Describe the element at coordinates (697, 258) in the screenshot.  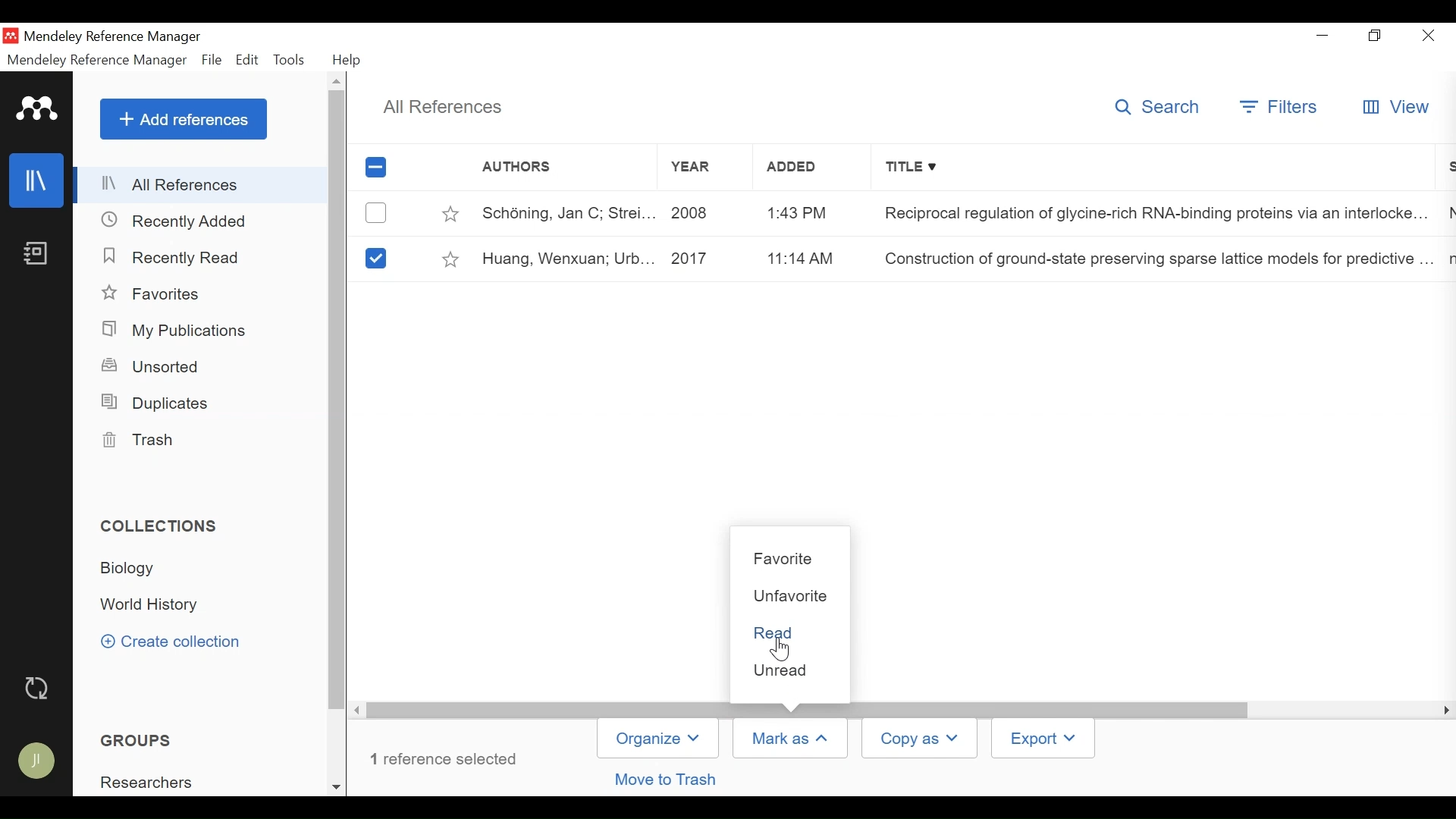
I see `2017` at that location.